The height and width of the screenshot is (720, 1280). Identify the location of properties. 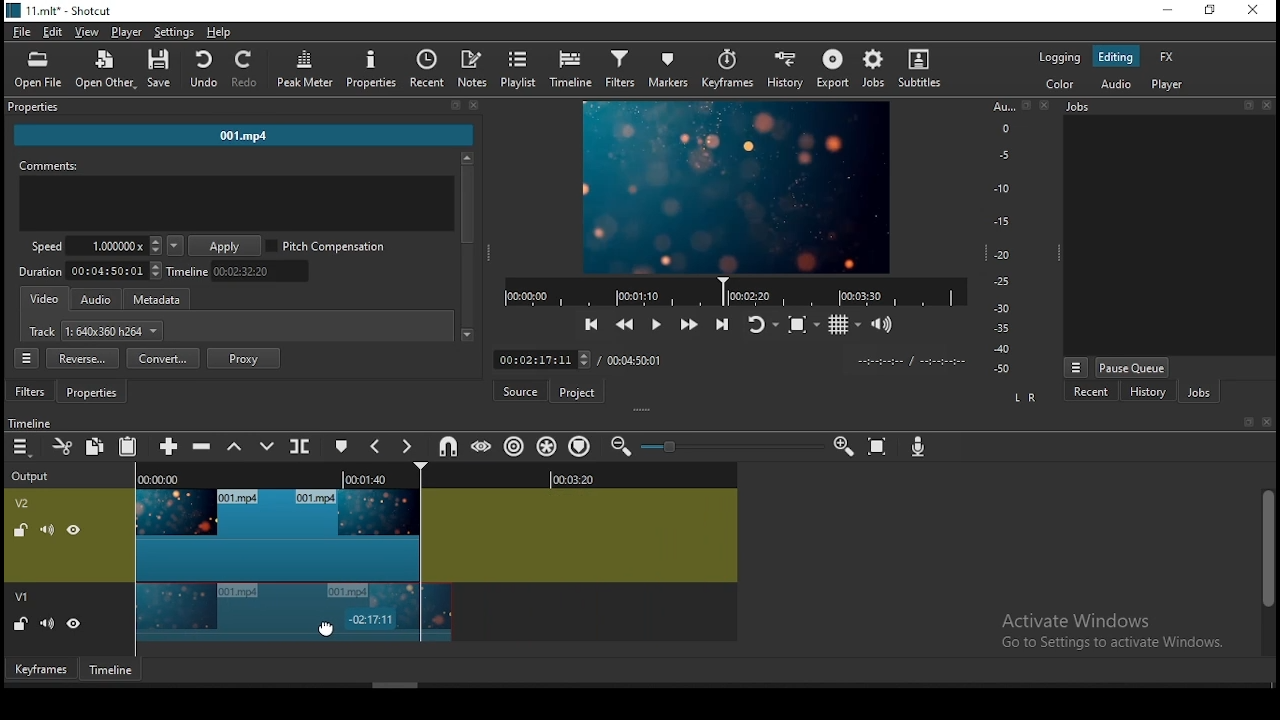
(241, 108).